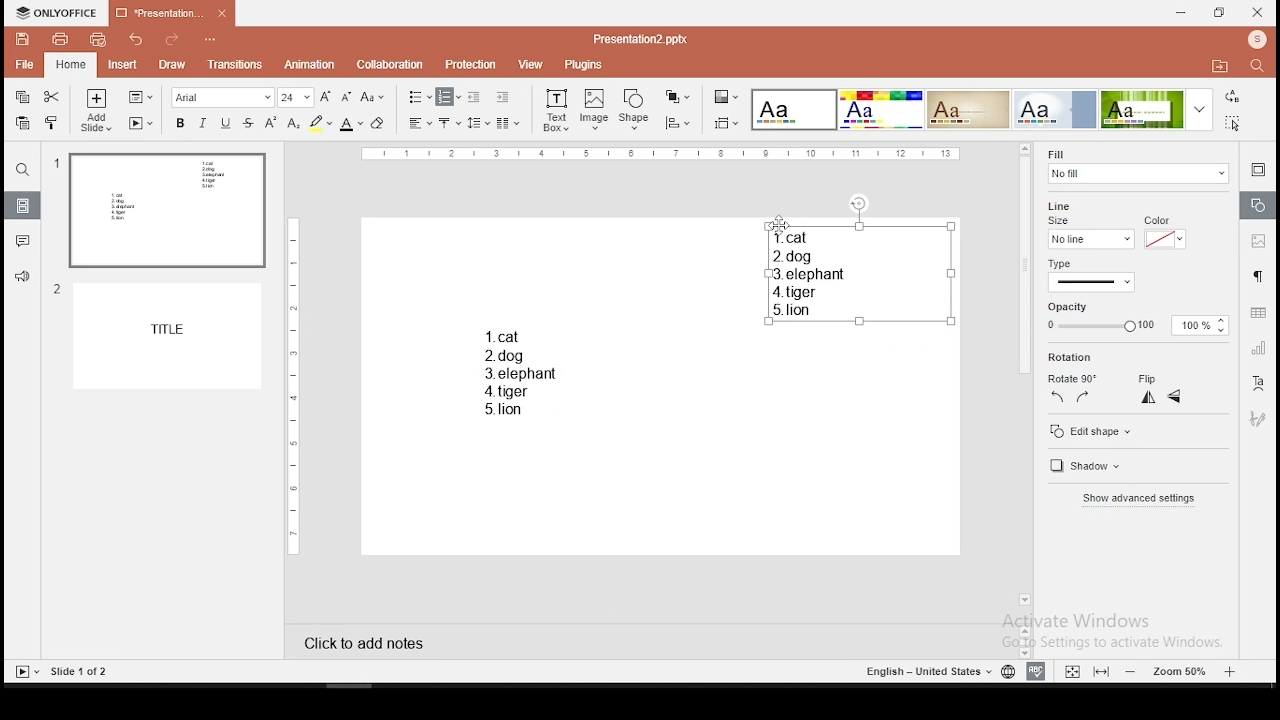  Describe the element at coordinates (23, 205) in the screenshot. I see `slides` at that location.